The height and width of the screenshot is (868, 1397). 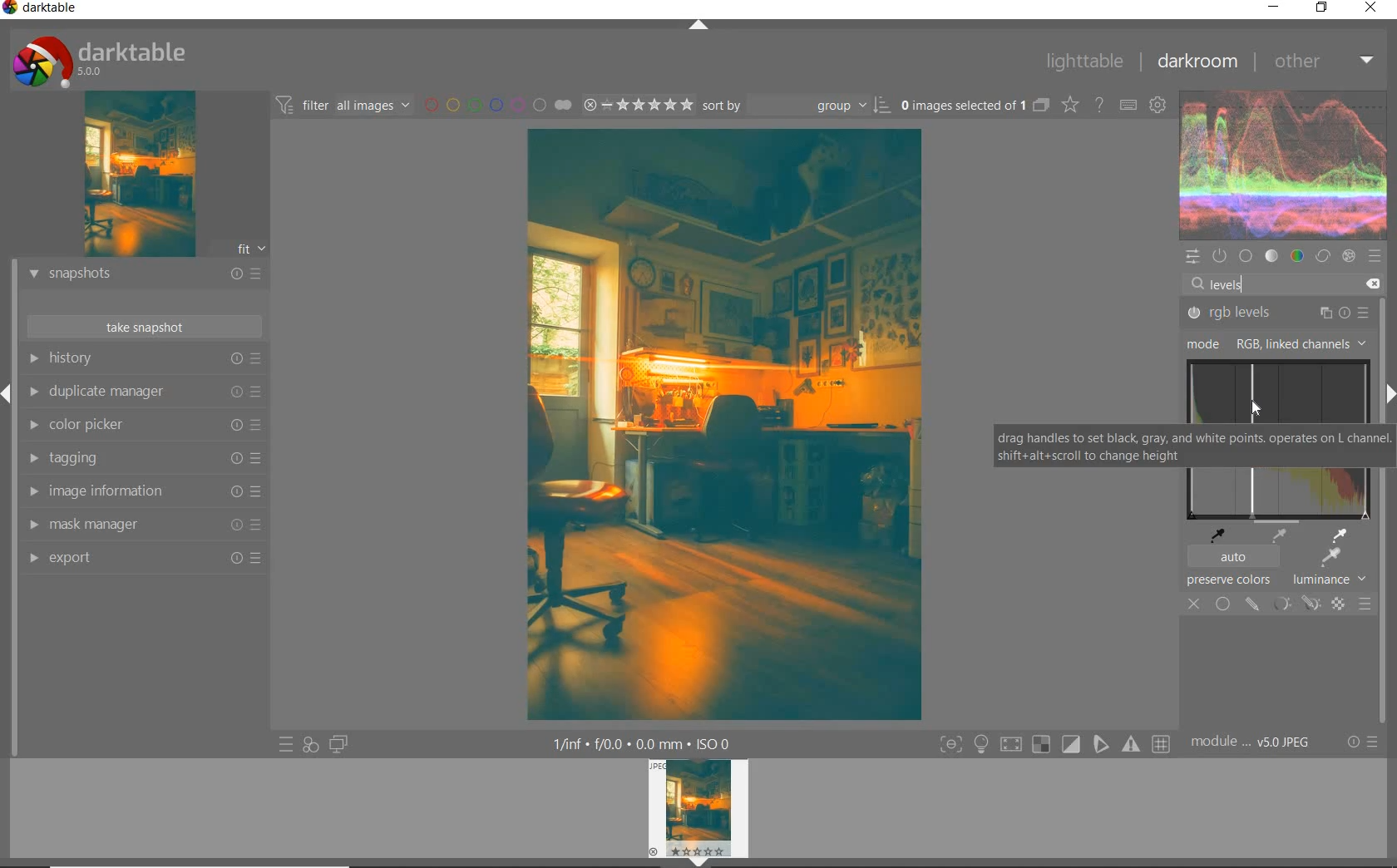 I want to click on blending options, so click(x=1365, y=604).